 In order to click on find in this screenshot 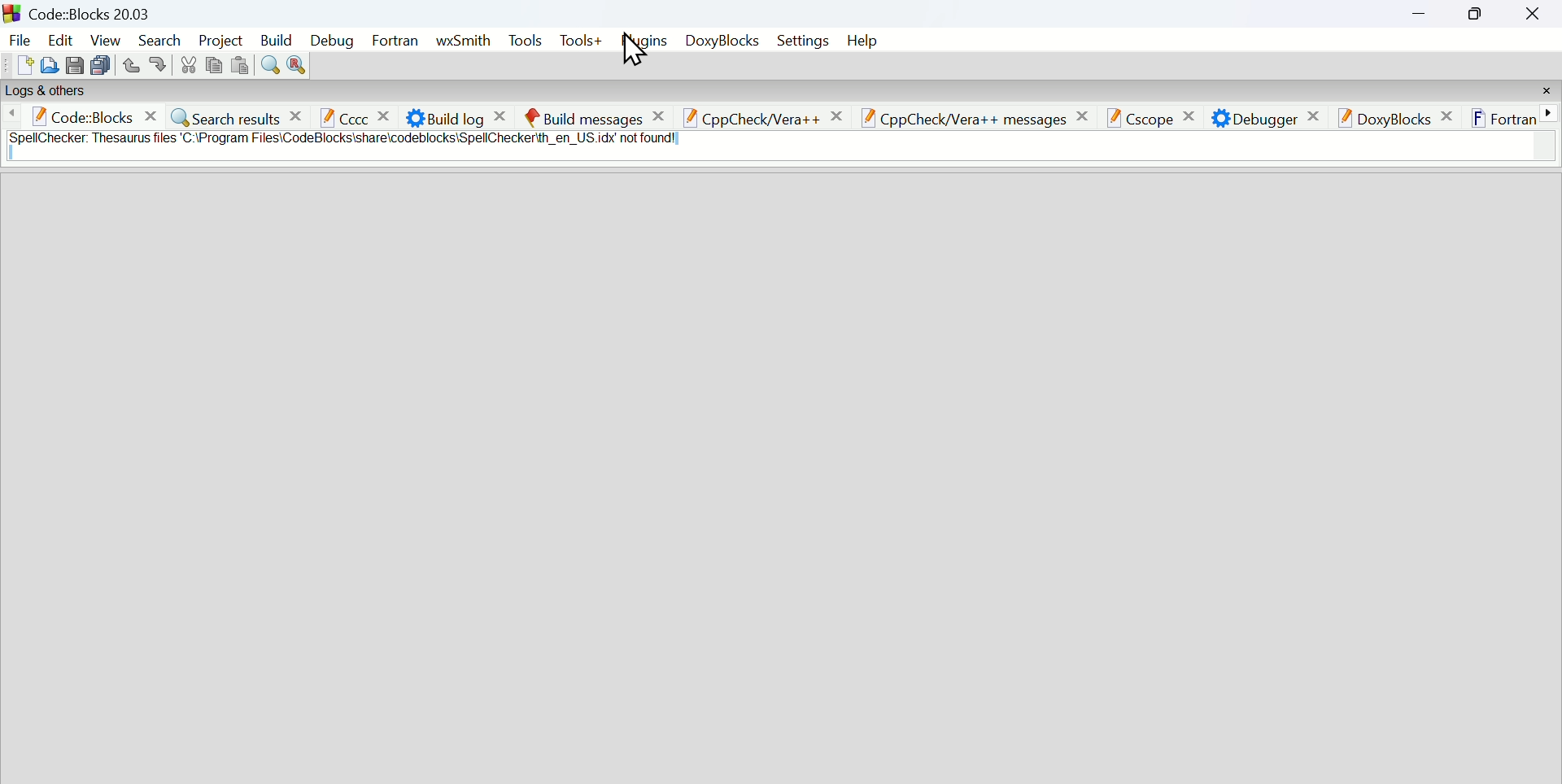, I will do `click(269, 63)`.